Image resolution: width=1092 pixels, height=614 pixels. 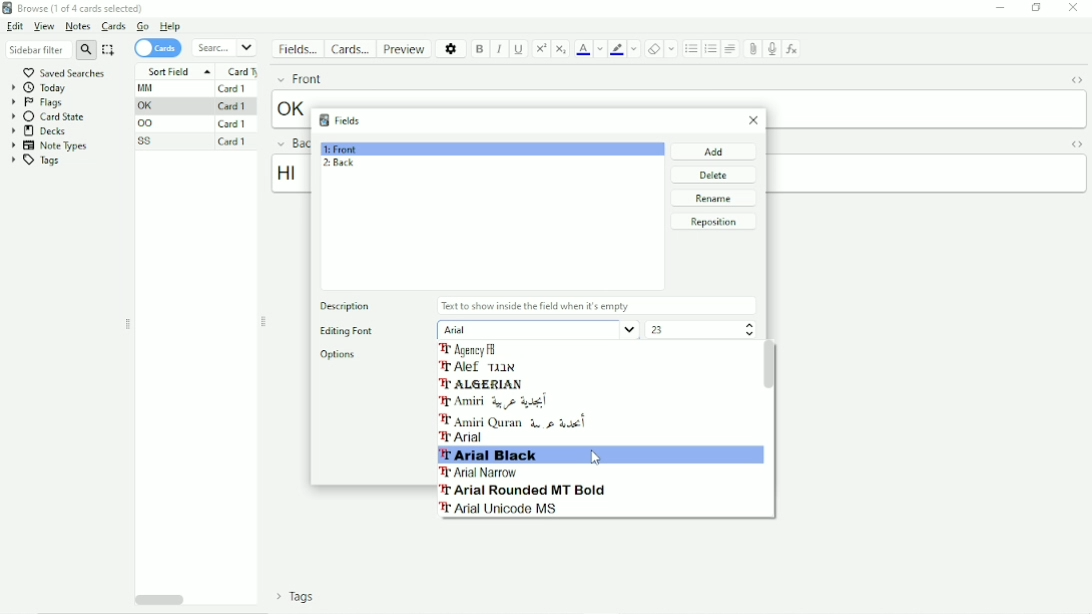 What do you see at coordinates (479, 472) in the screenshot?
I see `Arial Narrow` at bounding box center [479, 472].